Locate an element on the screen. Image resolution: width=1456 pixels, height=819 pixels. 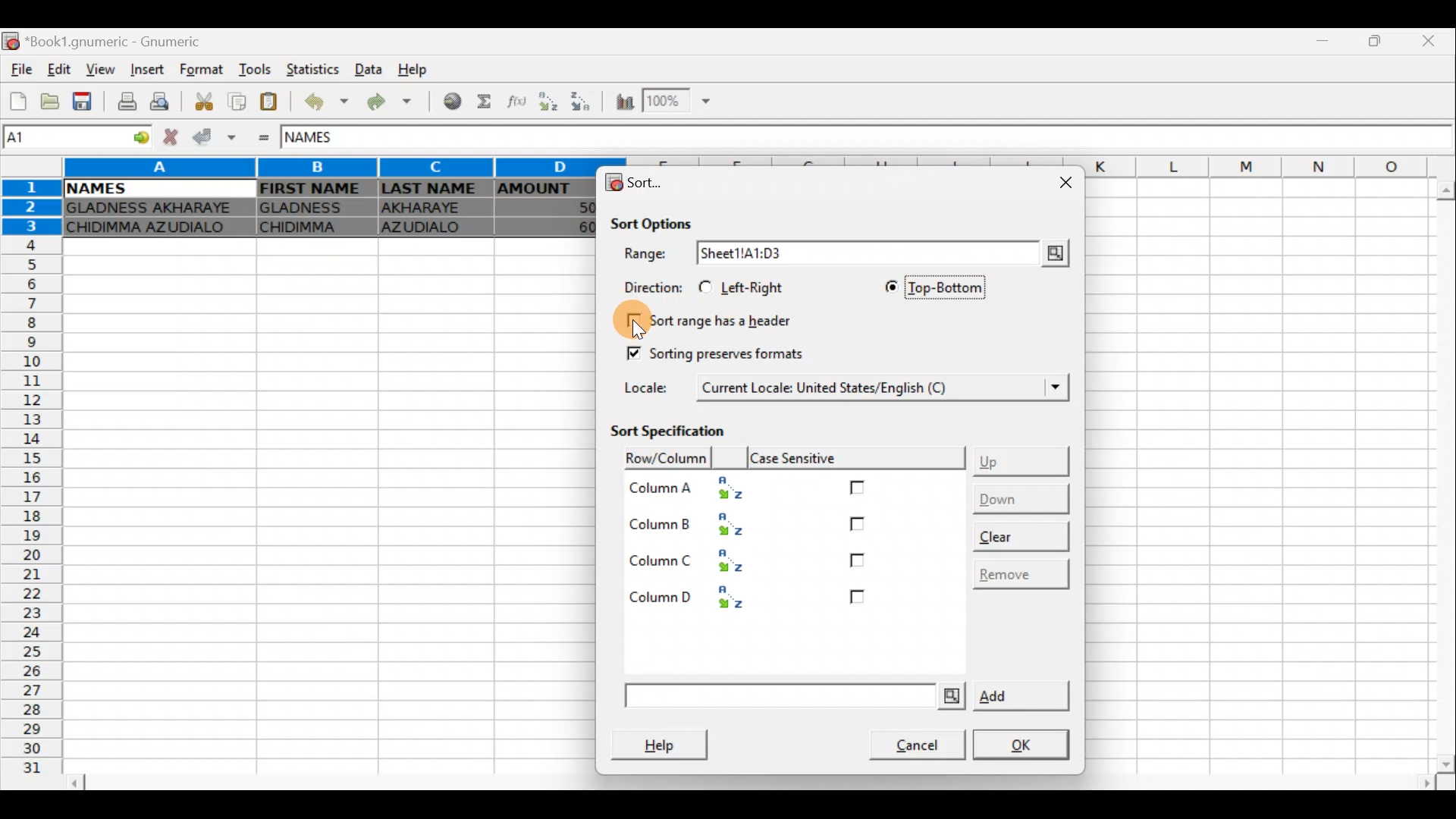
Edit a function in the current cell is located at coordinates (514, 102).